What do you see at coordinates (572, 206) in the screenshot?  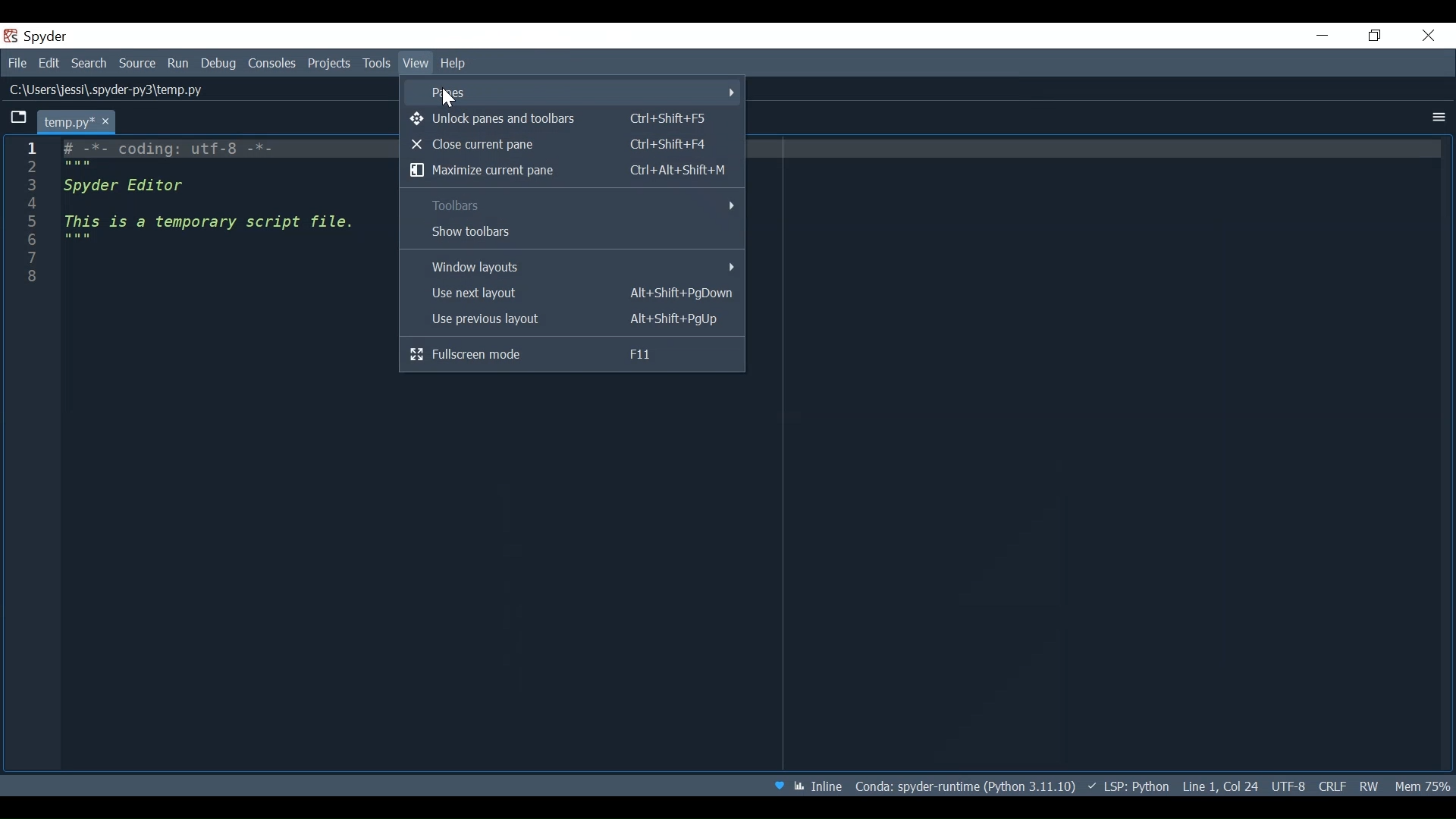 I see `Toolbars` at bounding box center [572, 206].